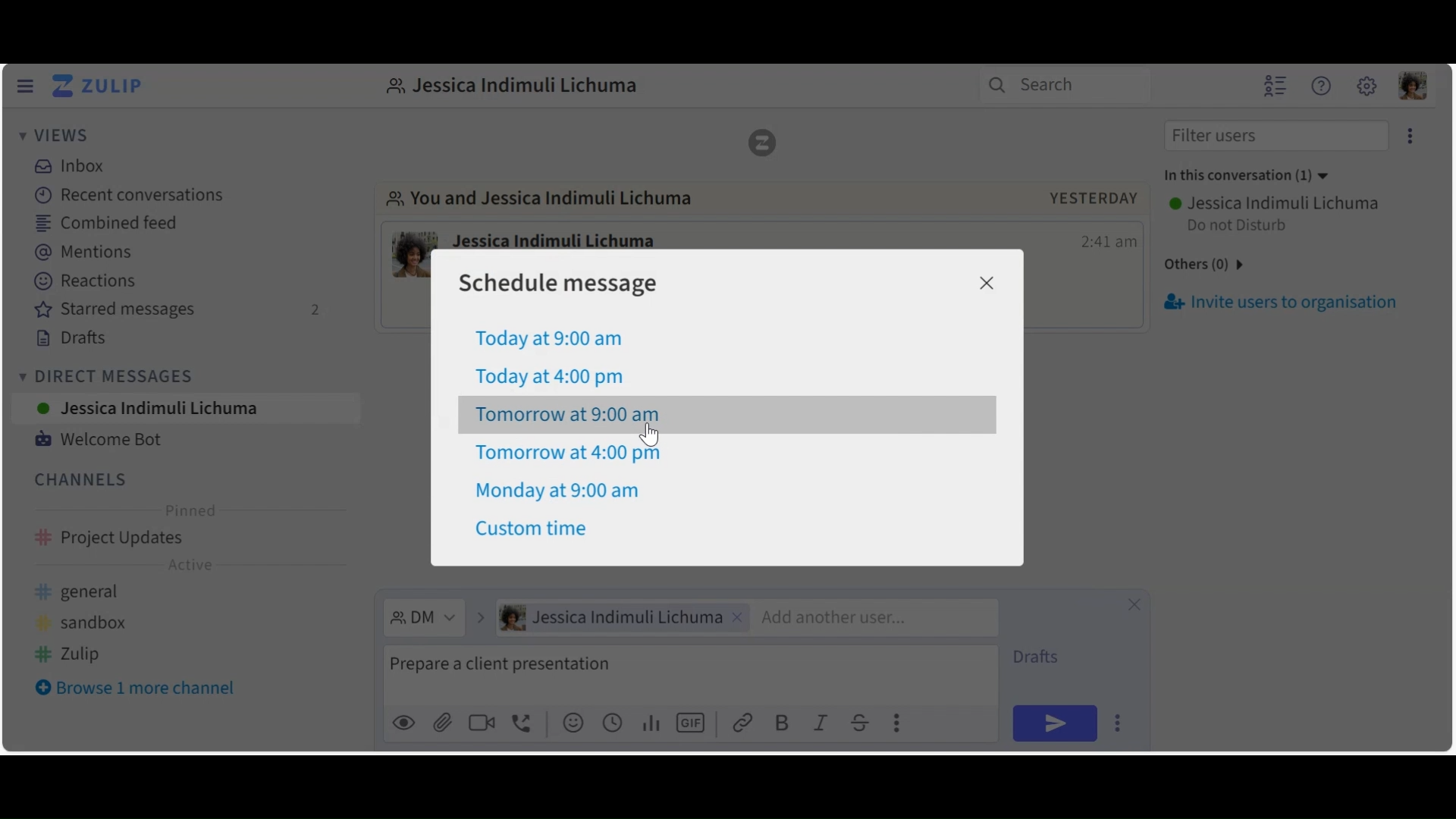 The width and height of the screenshot is (1456, 819). Describe the element at coordinates (86, 253) in the screenshot. I see `Mentions` at that location.